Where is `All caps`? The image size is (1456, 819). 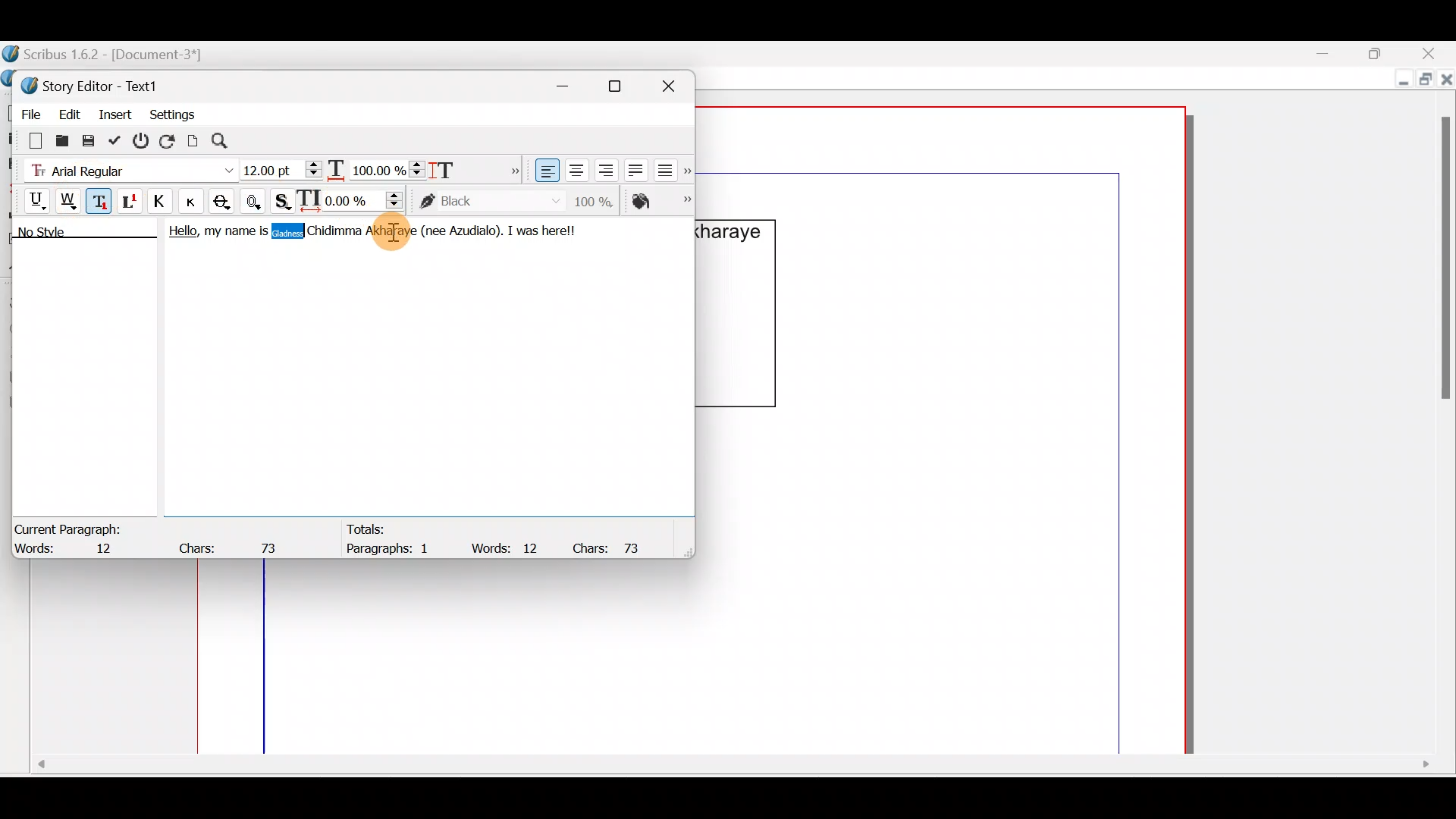 All caps is located at coordinates (163, 203).